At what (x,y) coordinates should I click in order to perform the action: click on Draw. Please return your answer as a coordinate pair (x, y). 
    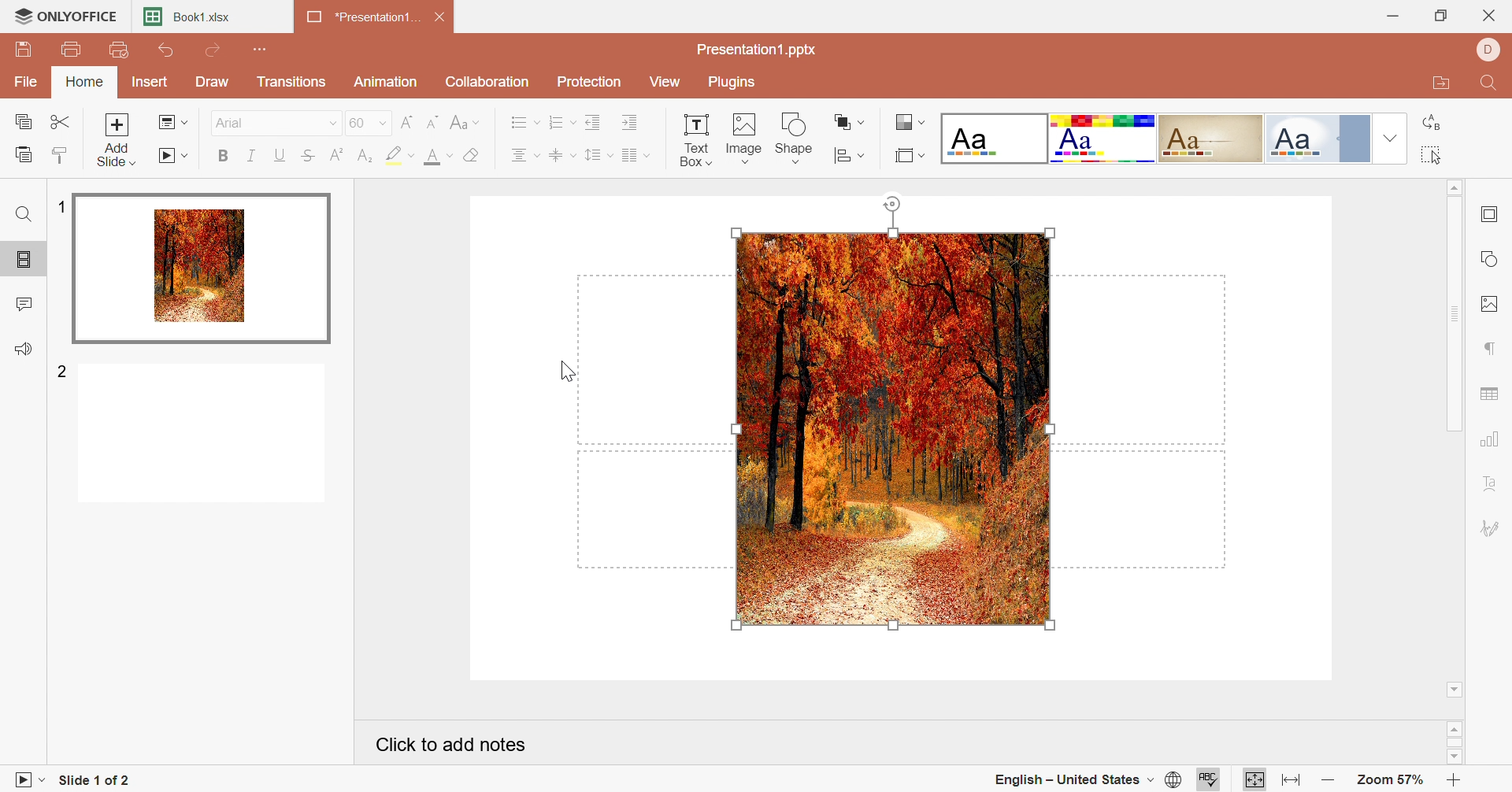
    Looking at the image, I should click on (215, 82).